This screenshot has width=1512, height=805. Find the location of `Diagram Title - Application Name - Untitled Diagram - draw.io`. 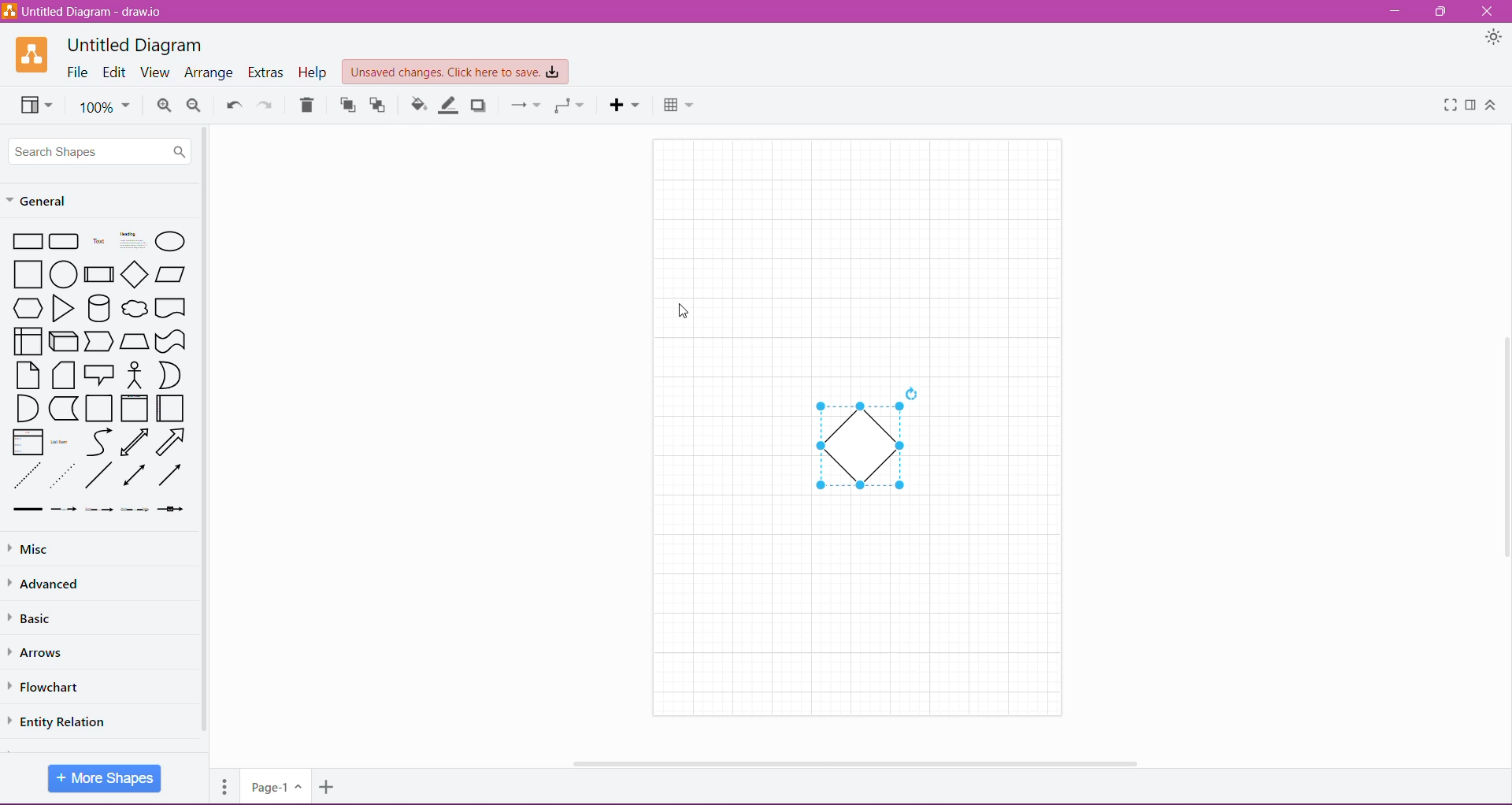

Diagram Title - Application Name - Untitled Diagram - draw.io is located at coordinates (86, 11).